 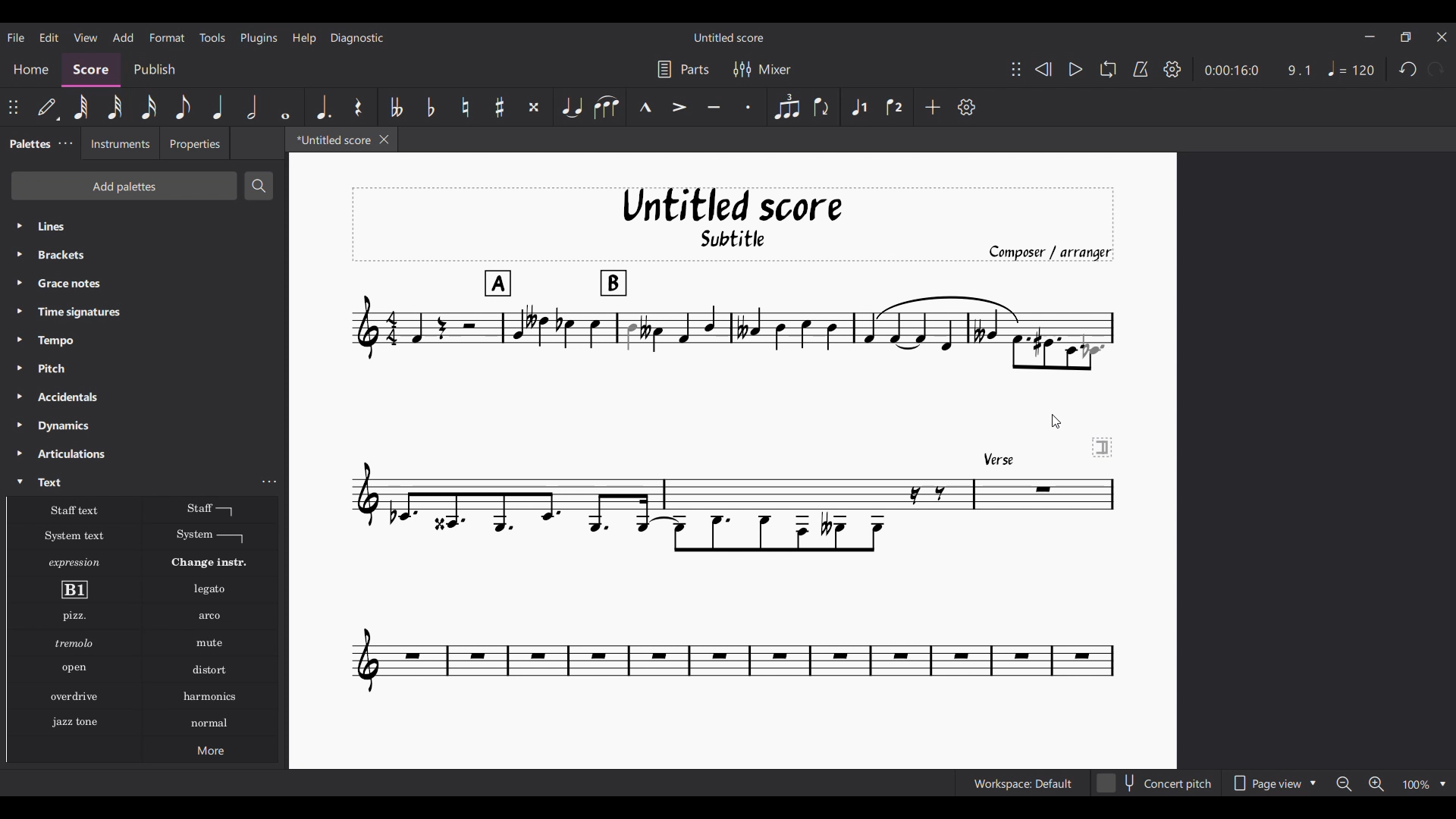 What do you see at coordinates (74, 616) in the screenshot?
I see `Pizzicato` at bounding box center [74, 616].